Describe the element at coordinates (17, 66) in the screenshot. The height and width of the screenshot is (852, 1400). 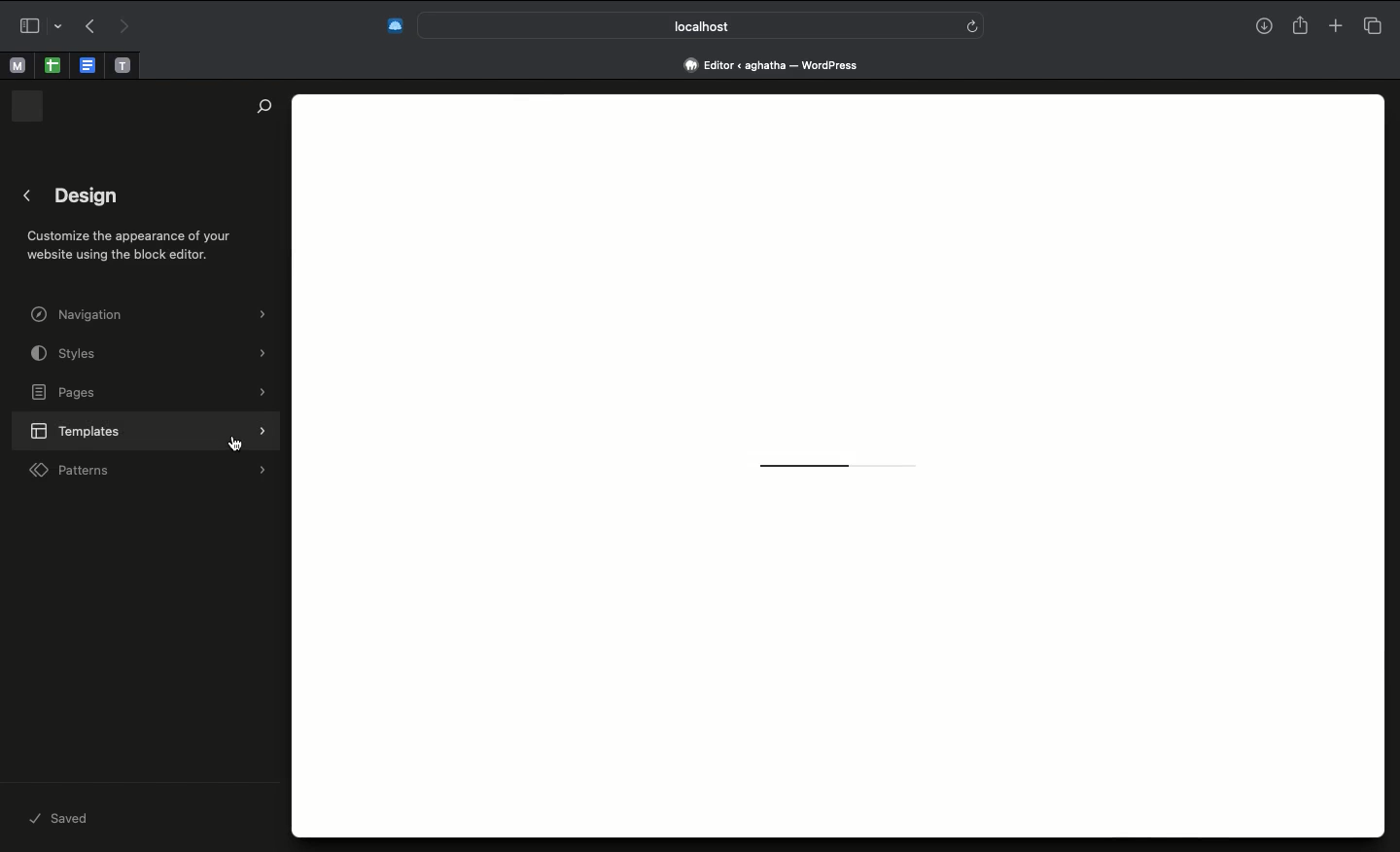
I see `open tab` at that location.